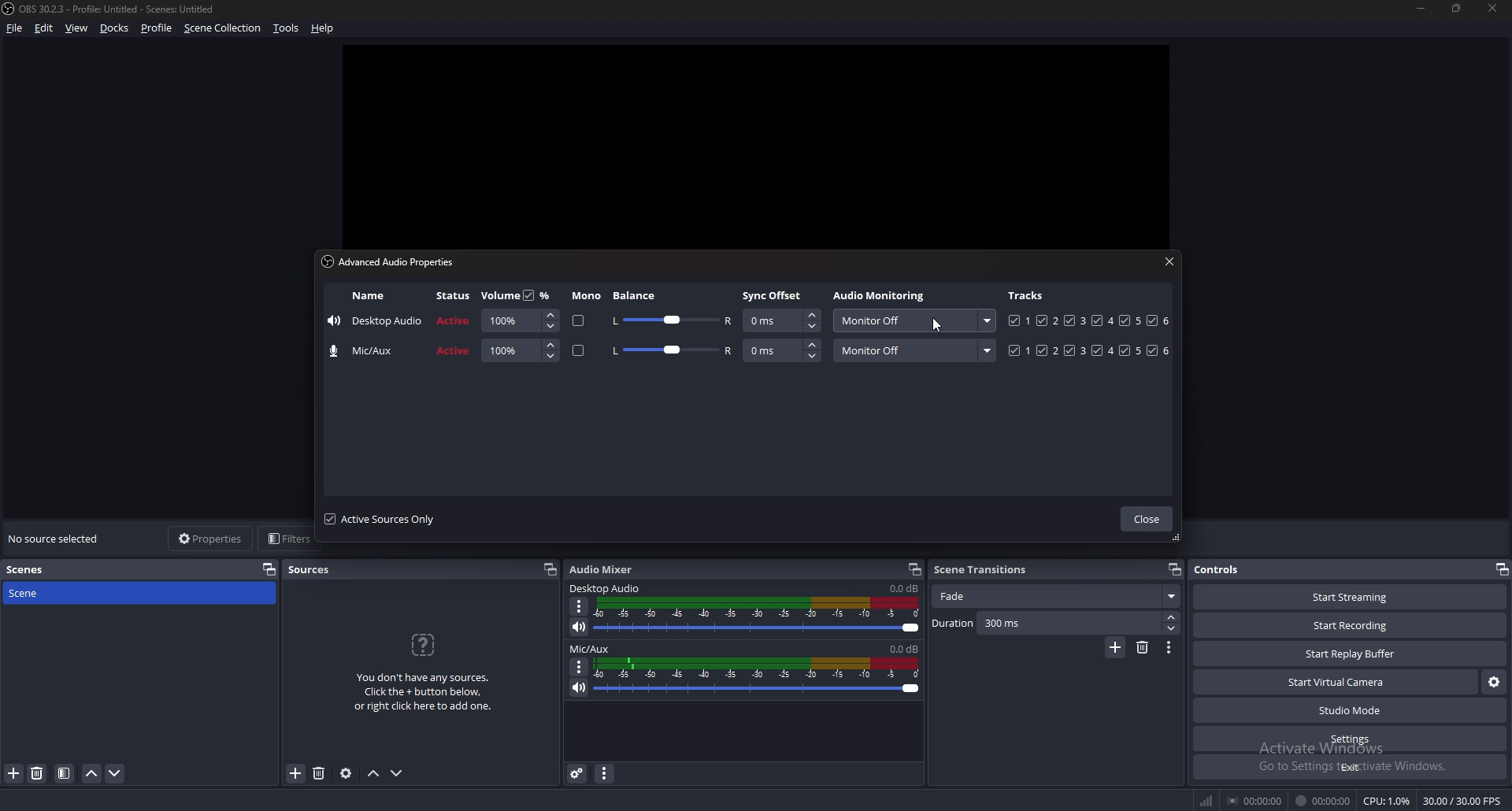 The width and height of the screenshot is (1512, 811). I want to click on close, so click(1147, 519).